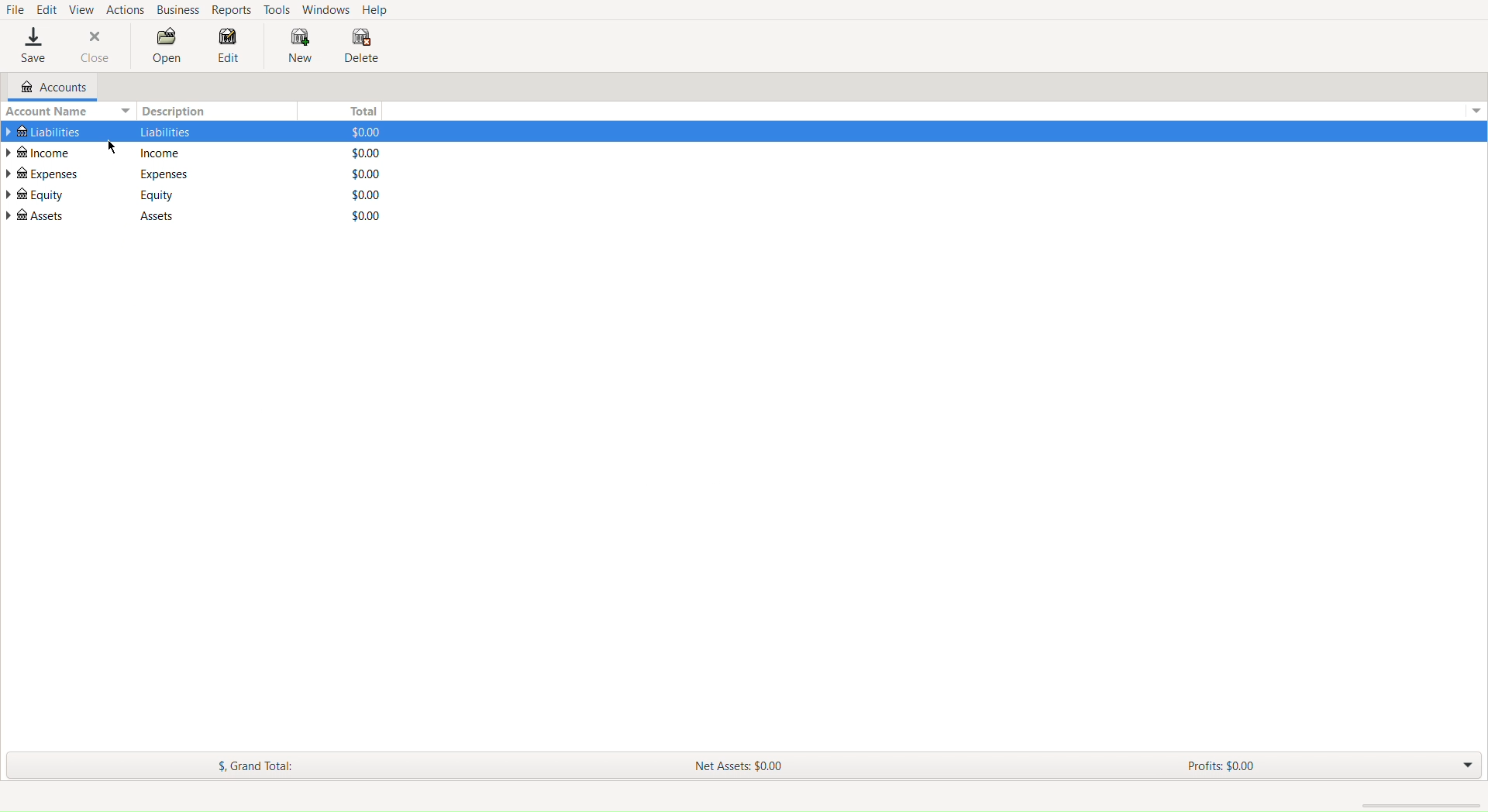 This screenshot has width=1488, height=812. I want to click on Description, so click(158, 215).